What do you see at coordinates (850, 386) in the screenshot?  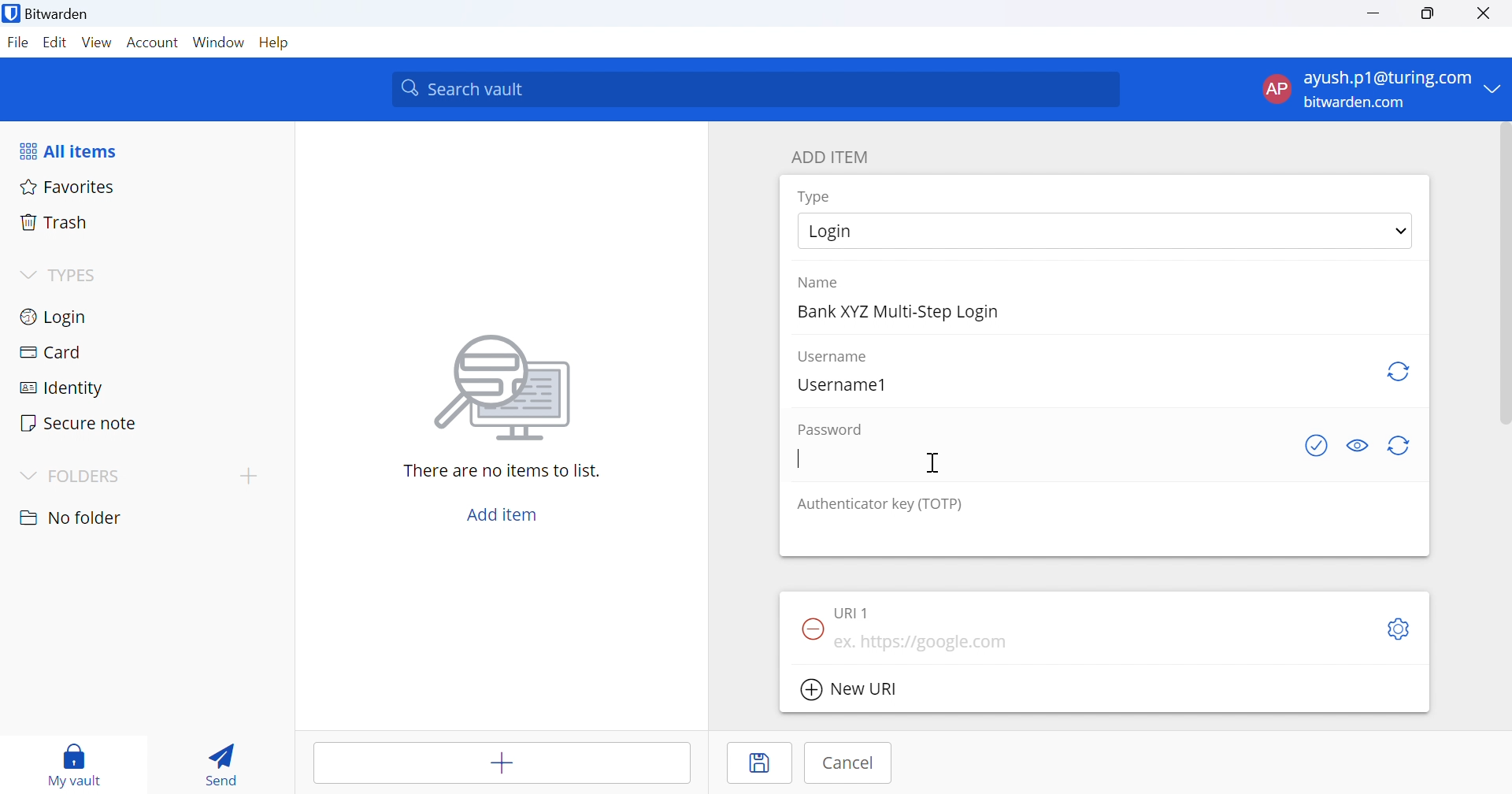 I see `Username1` at bounding box center [850, 386].